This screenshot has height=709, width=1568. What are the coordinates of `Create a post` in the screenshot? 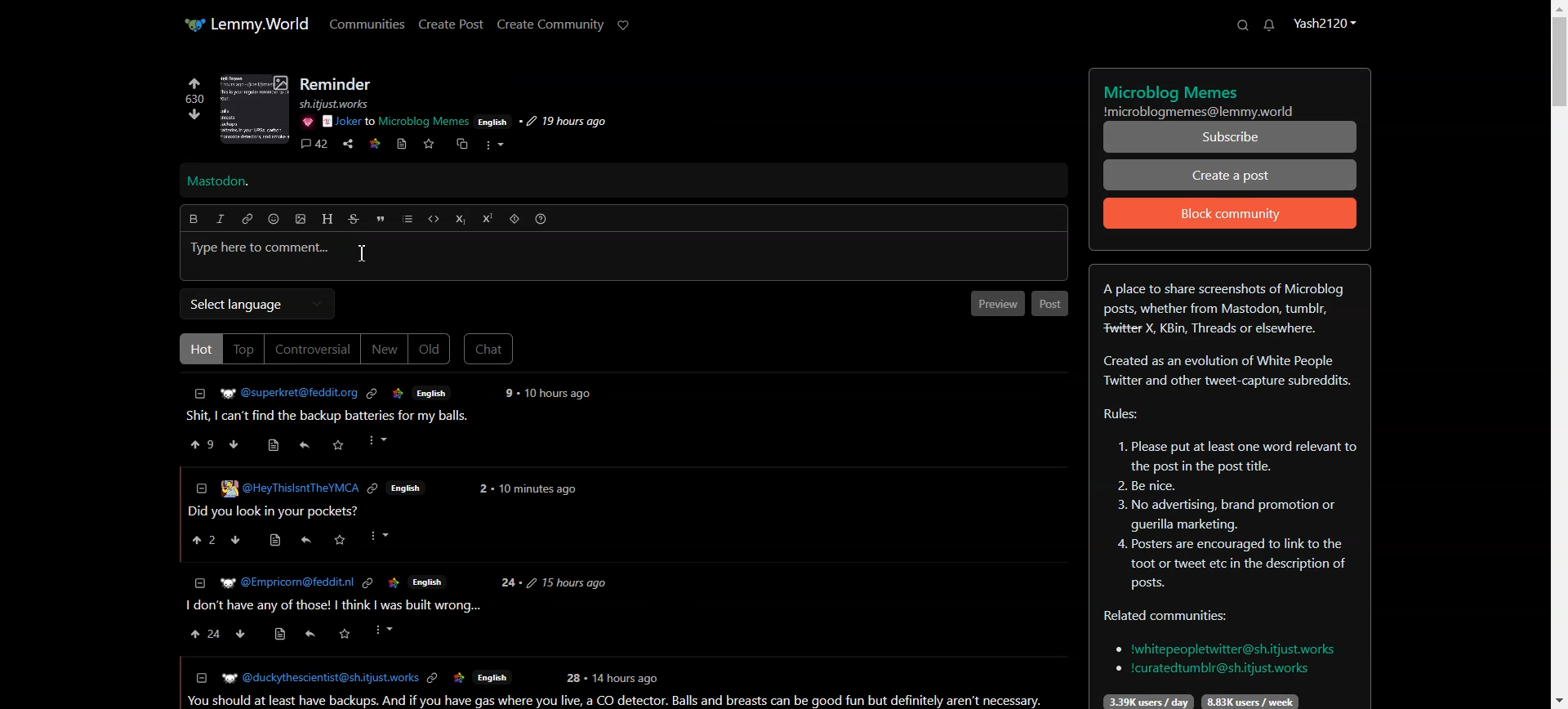 It's located at (1231, 174).